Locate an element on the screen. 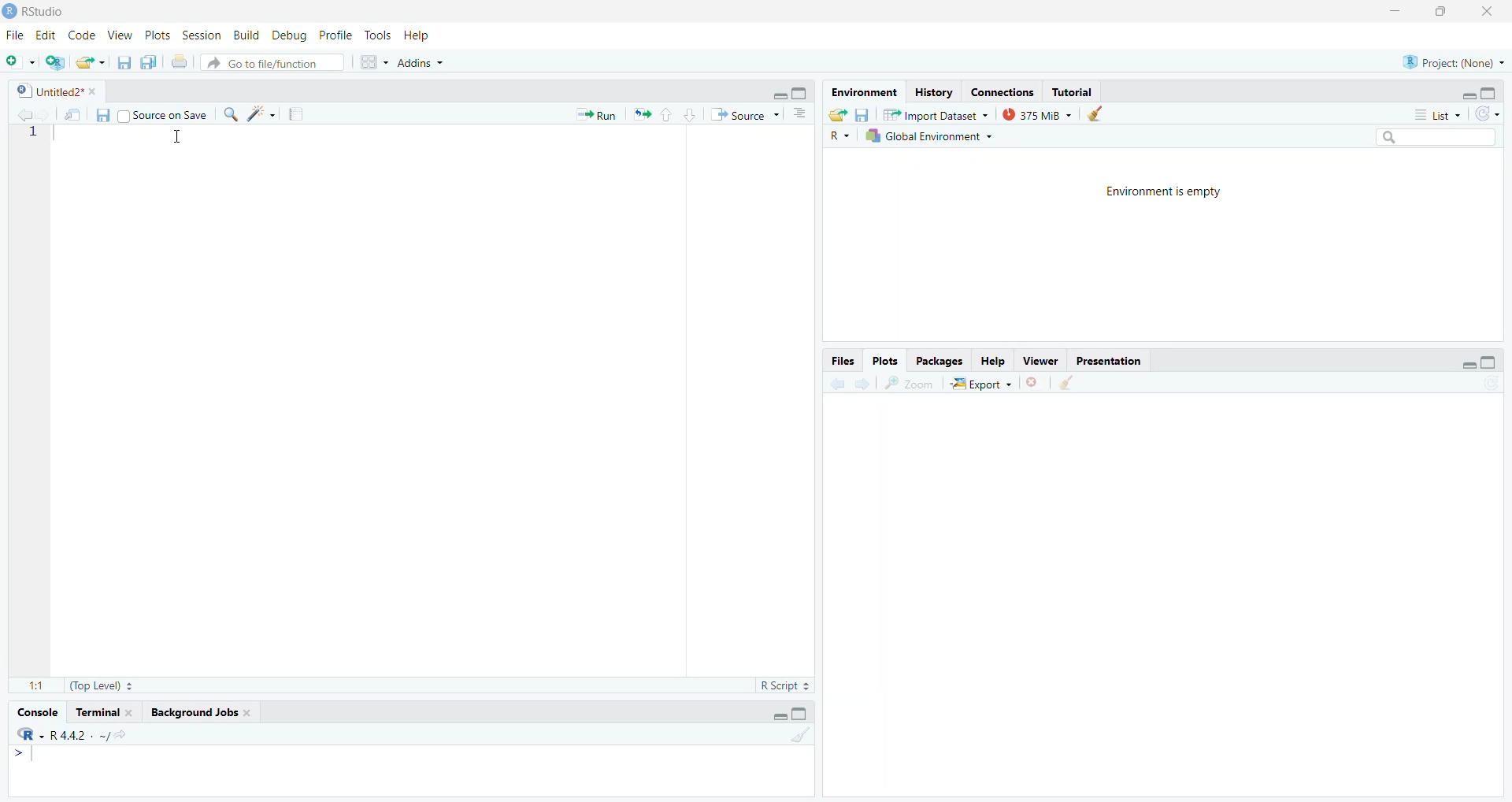 This screenshot has width=1512, height=802. (Top Level)  is located at coordinates (102, 686).